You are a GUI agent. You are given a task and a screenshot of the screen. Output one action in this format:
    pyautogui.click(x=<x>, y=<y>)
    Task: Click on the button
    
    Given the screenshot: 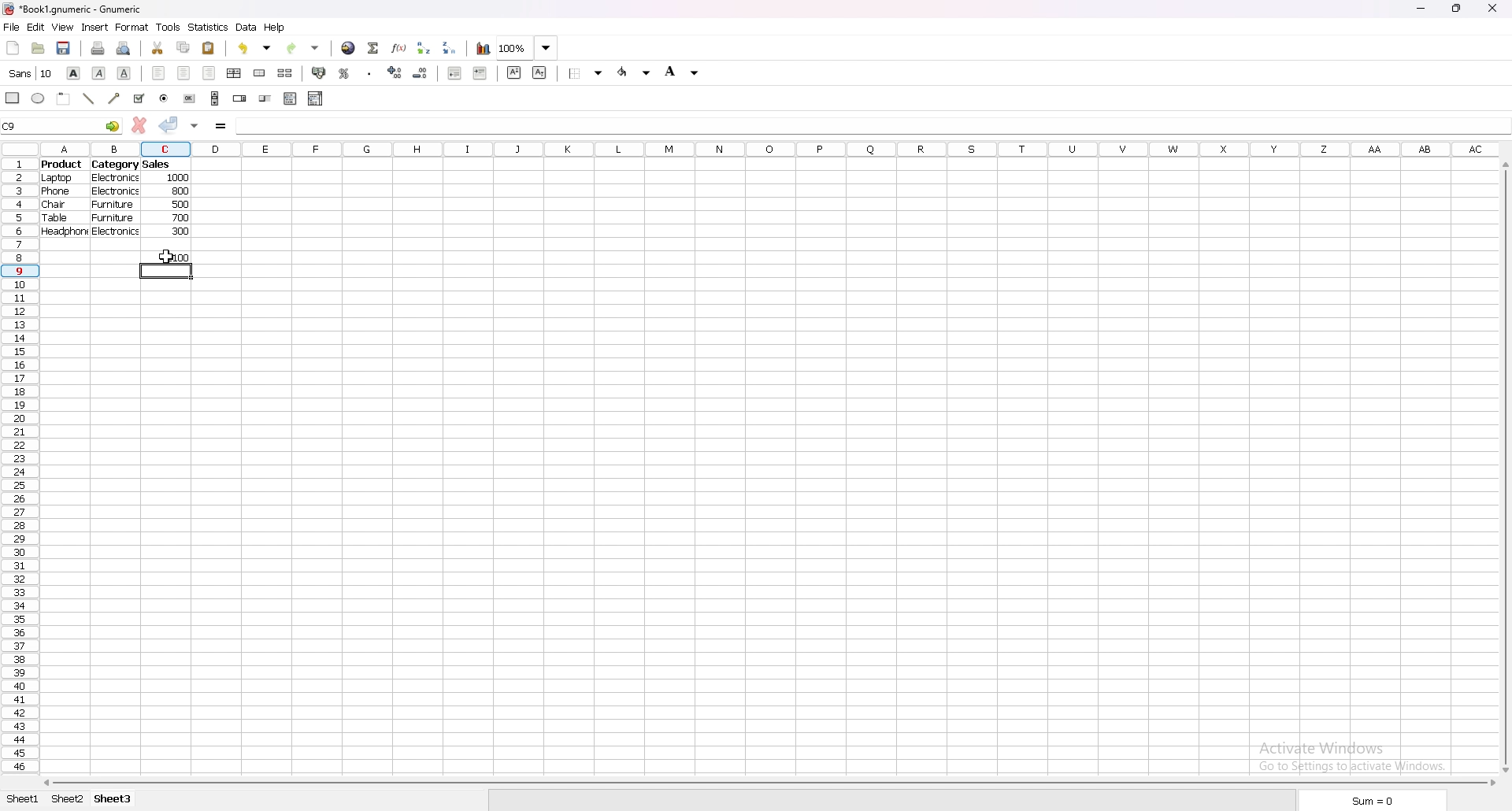 What is the action you would take?
    pyautogui.click(x=189, y=98)
    